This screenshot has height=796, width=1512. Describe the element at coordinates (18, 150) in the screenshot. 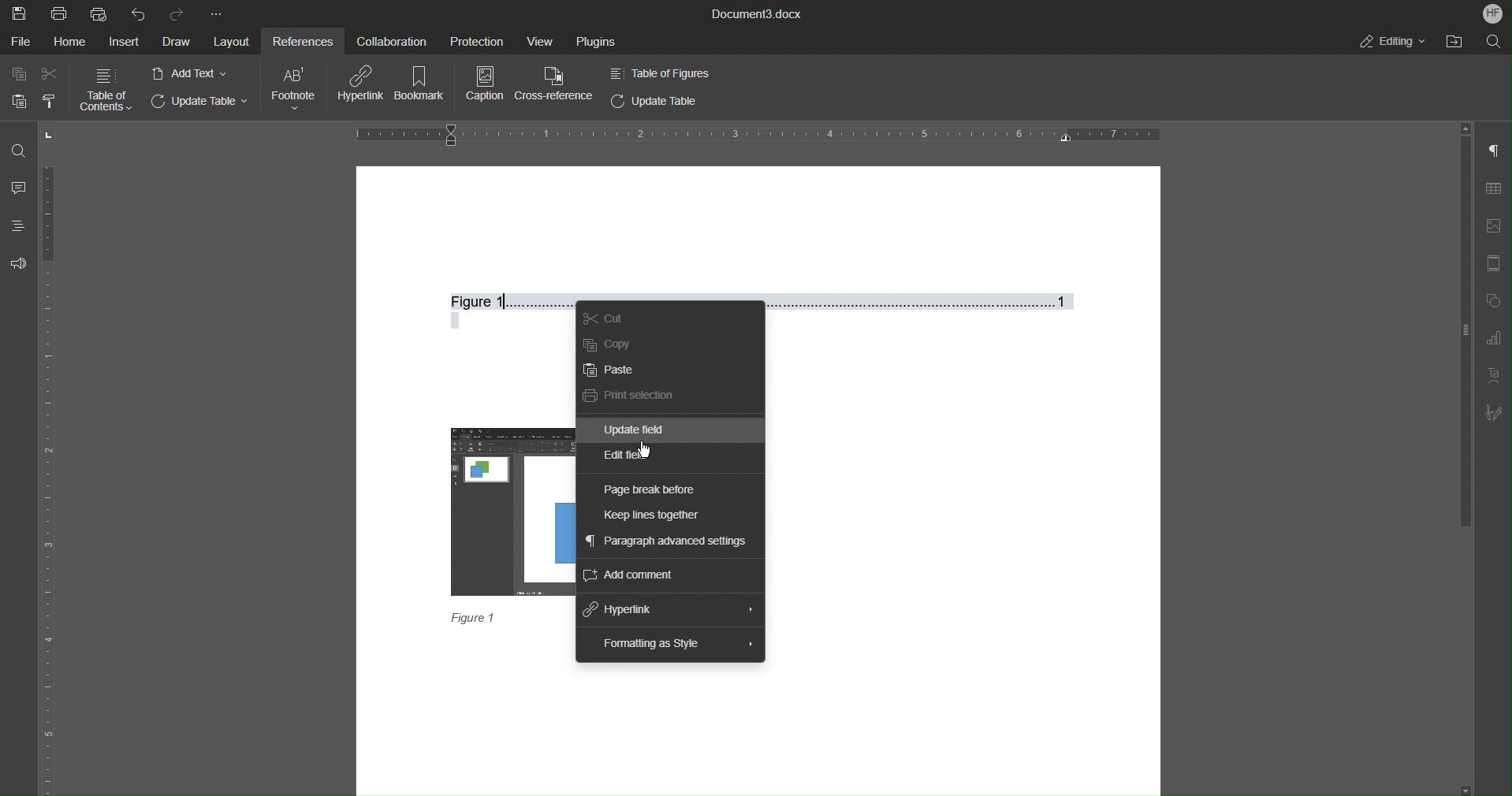

I see `Find` at that location.